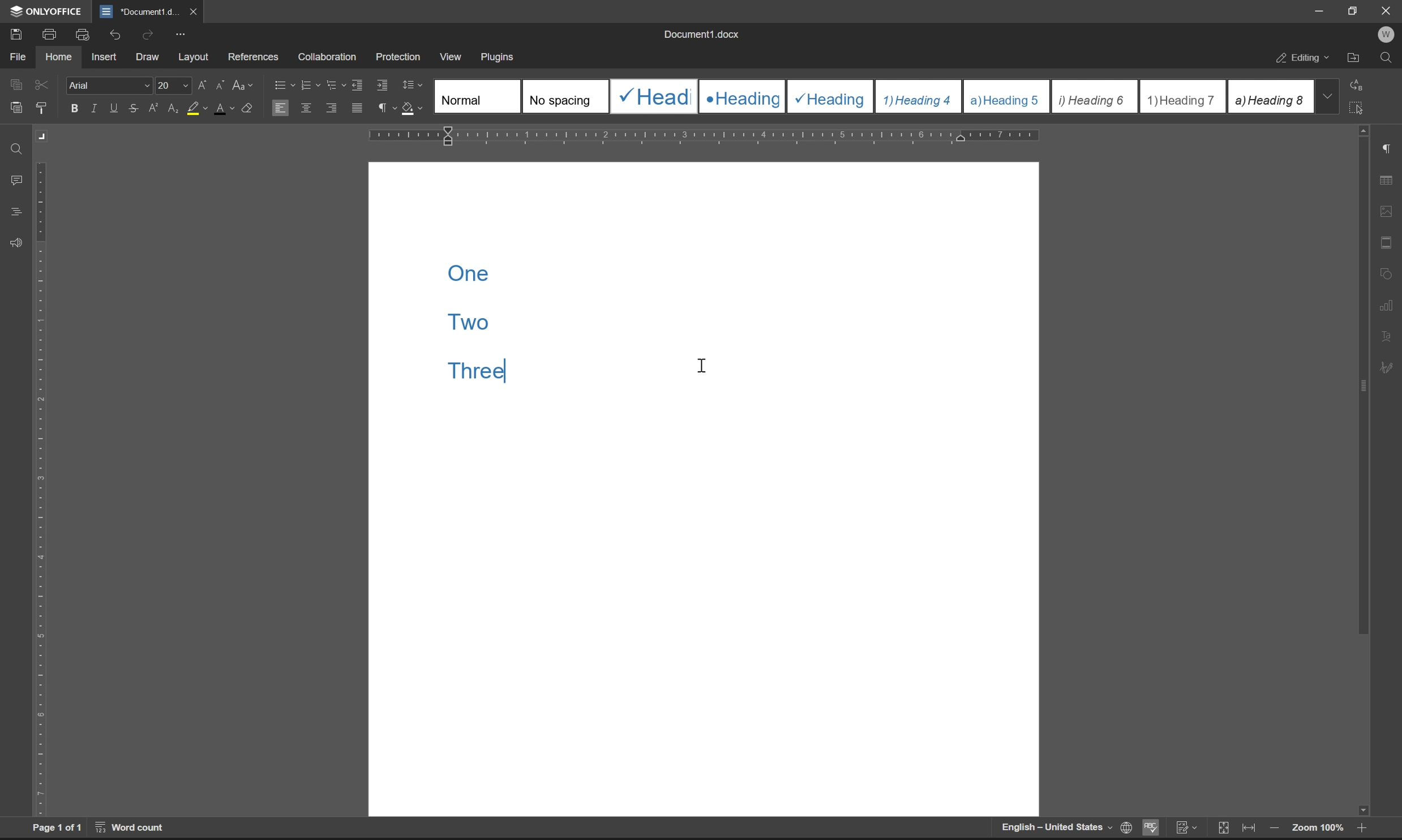 Image resolution: width=1402 pixels, height=840 pixels. What do you see at coordinates (1274, 829) in the screenshot?
I see `zoom out` at bounding box center [1274, 829].